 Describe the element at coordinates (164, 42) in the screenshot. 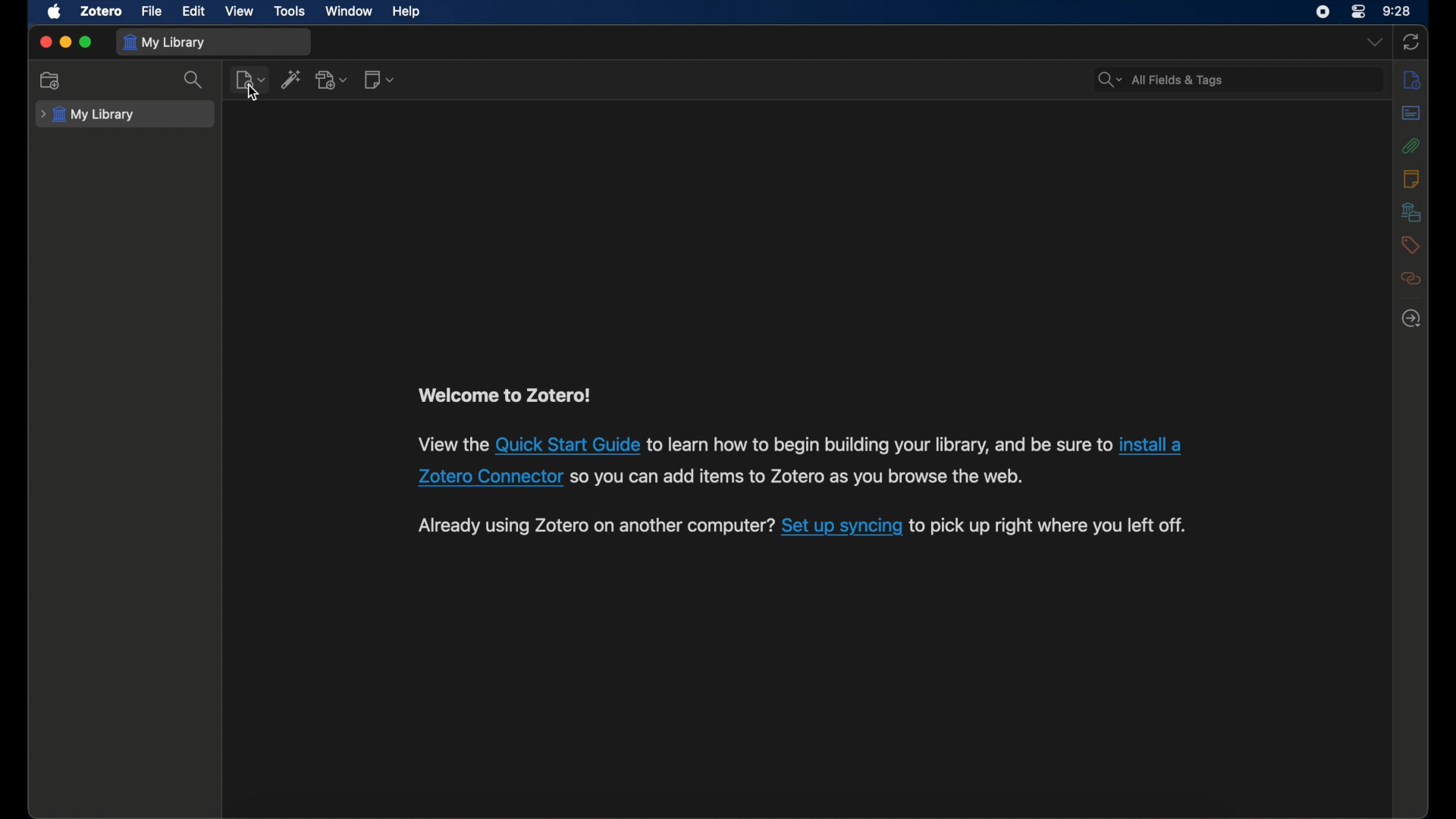

I see `my library` at that location.